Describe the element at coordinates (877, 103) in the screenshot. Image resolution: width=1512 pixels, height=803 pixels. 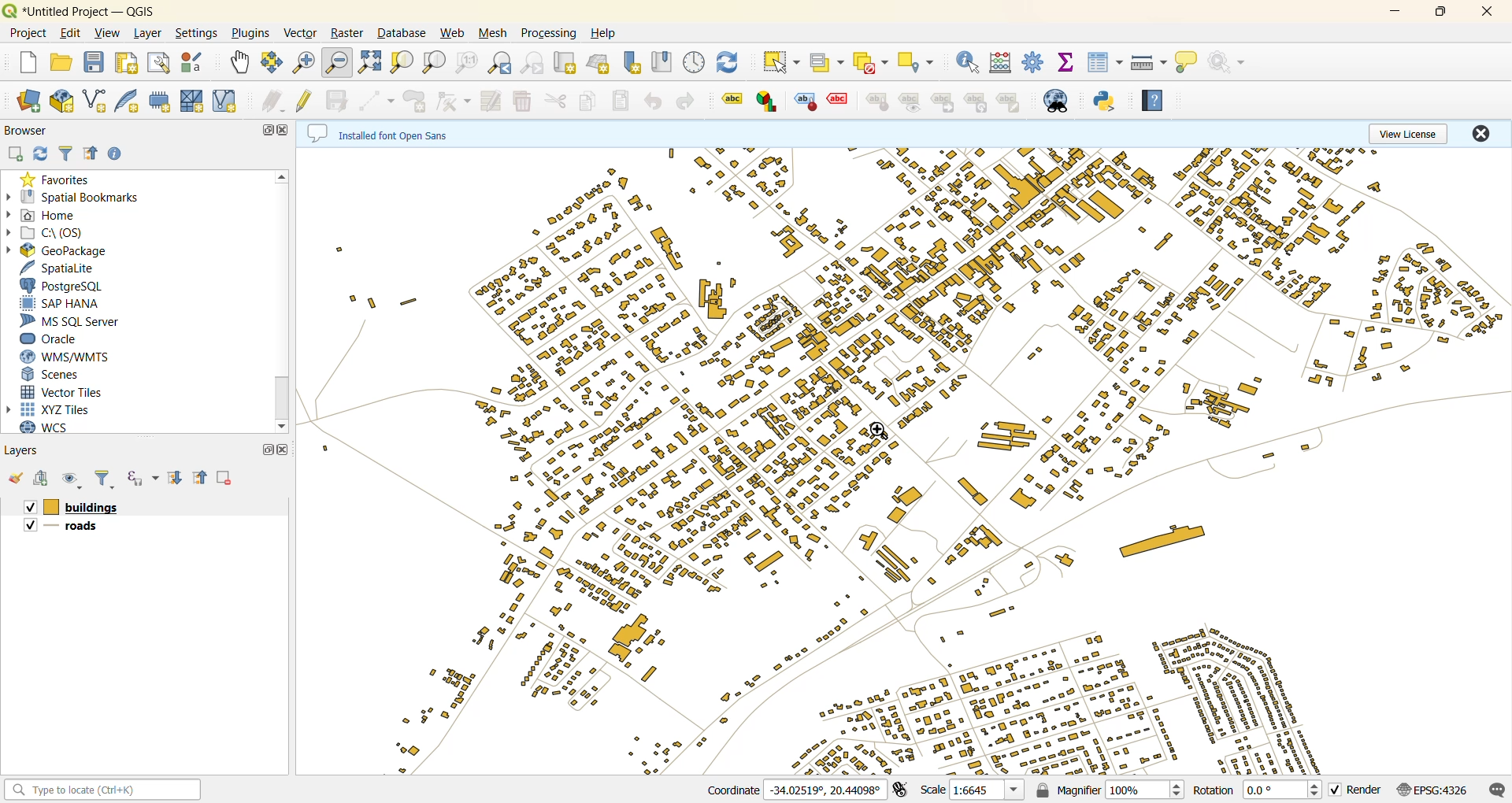
I see `label` at that location.